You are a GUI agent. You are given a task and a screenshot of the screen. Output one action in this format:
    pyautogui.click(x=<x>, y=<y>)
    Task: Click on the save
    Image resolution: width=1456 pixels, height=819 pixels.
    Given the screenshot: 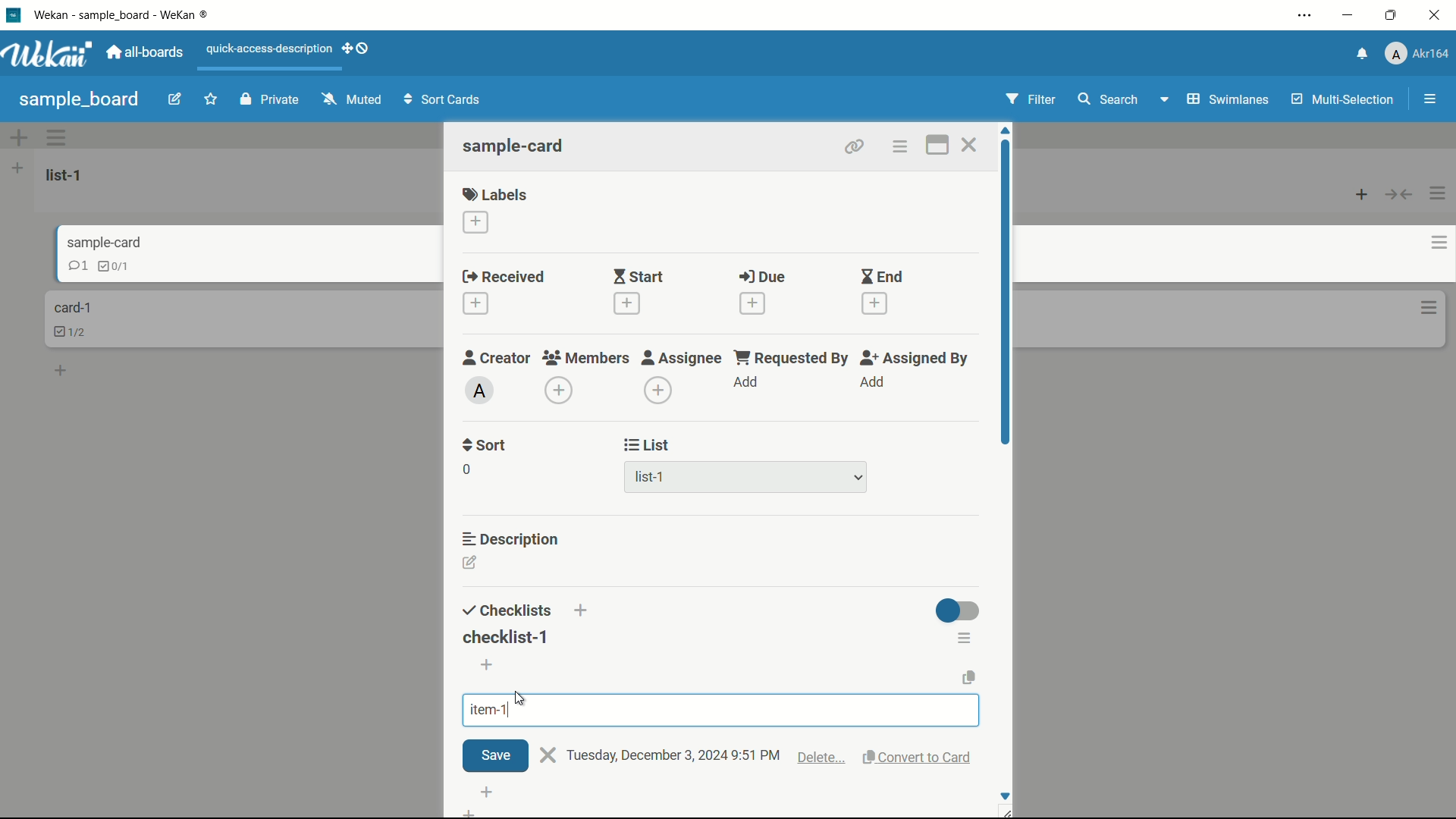 What is the action you would take?
    pyautogui.click(x=494, y=755)
    